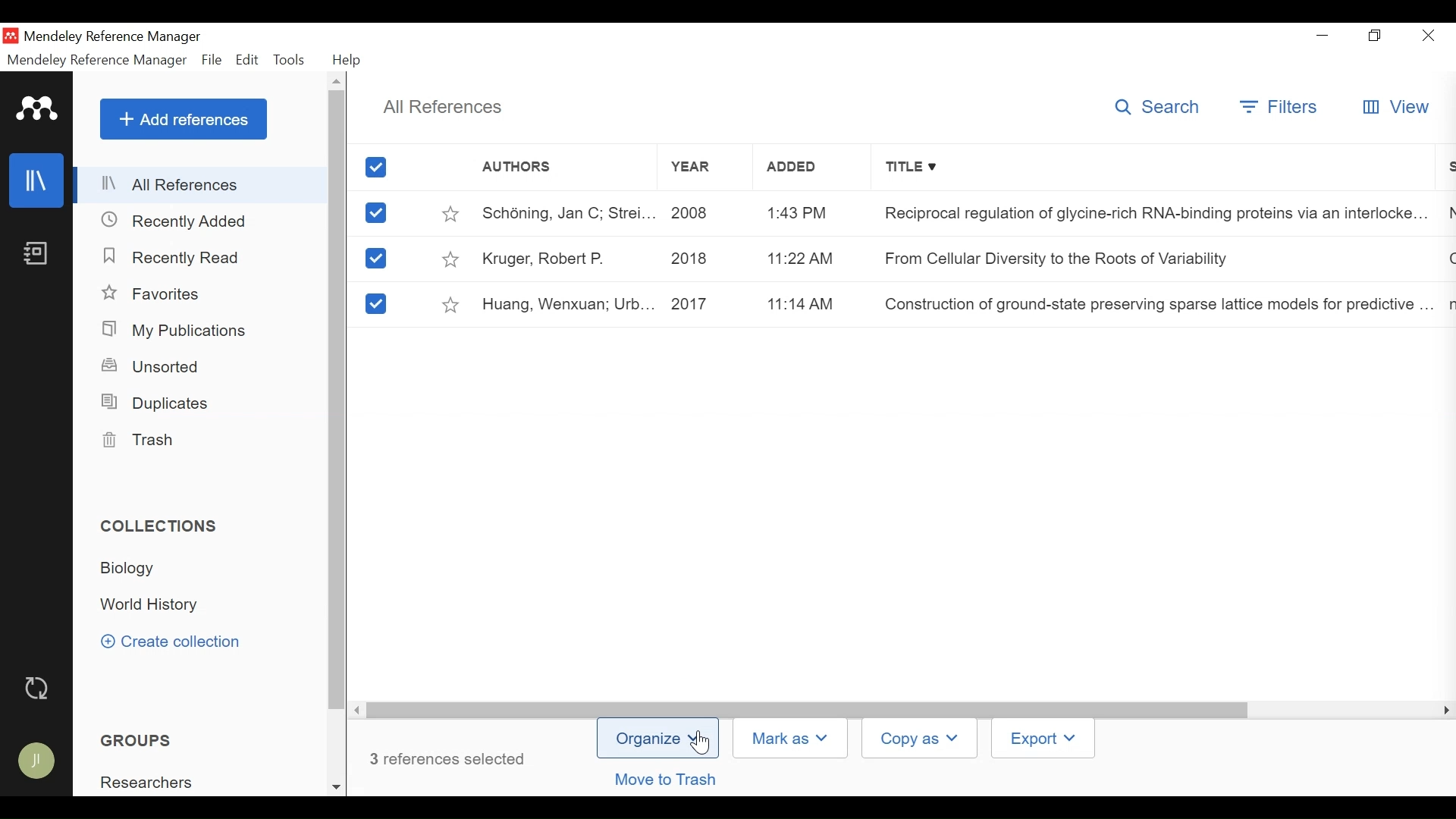 This screenshot has height=819, width=1456. Describe the element at coordinates (1443, 711) in the screenshot. I see `Scroll Right` at that location.